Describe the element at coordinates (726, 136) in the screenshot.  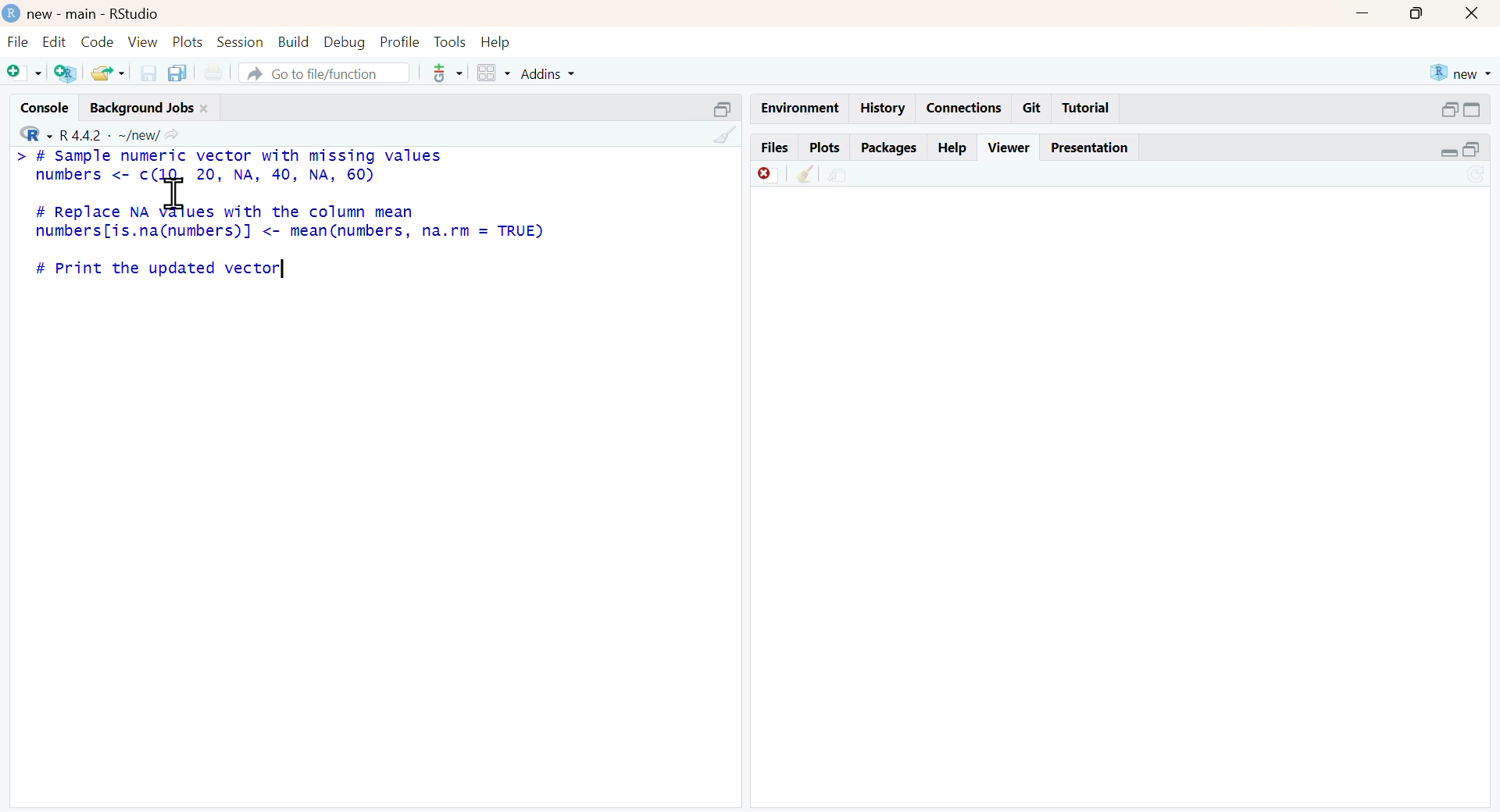
I see `clean` at that location.